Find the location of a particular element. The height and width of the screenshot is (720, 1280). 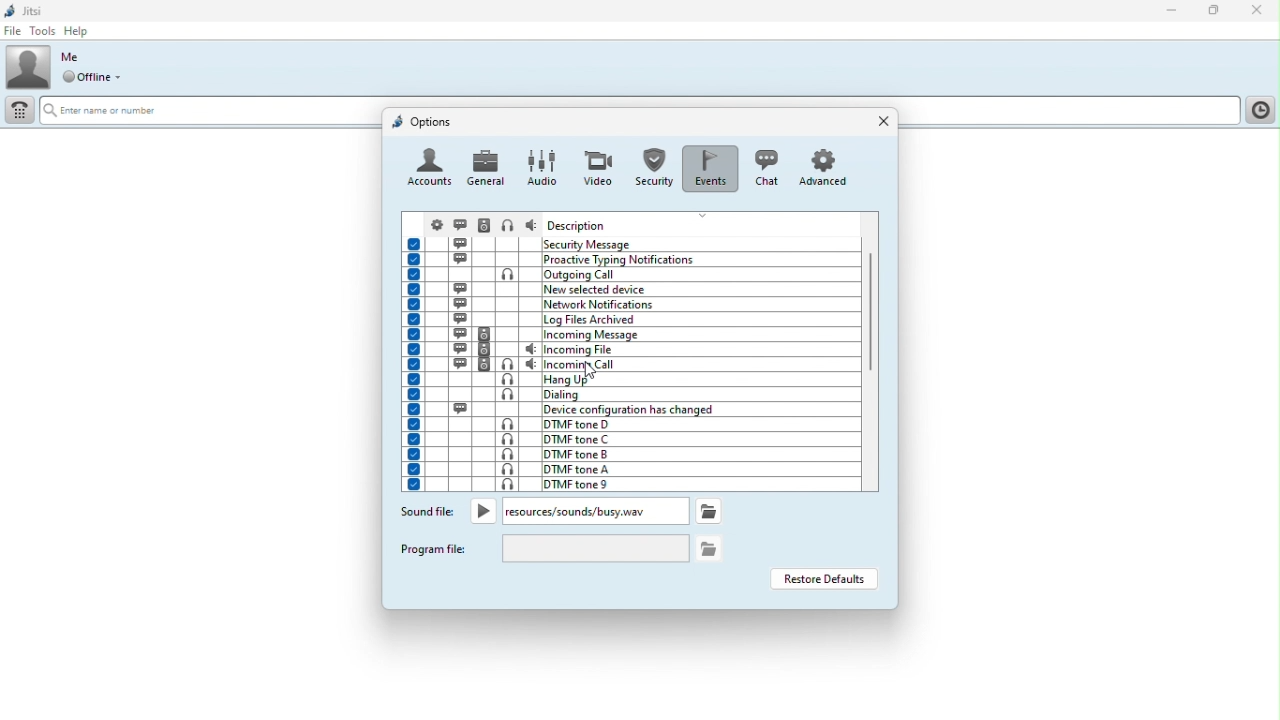

outgoing call is located at coordinates (629, 274).